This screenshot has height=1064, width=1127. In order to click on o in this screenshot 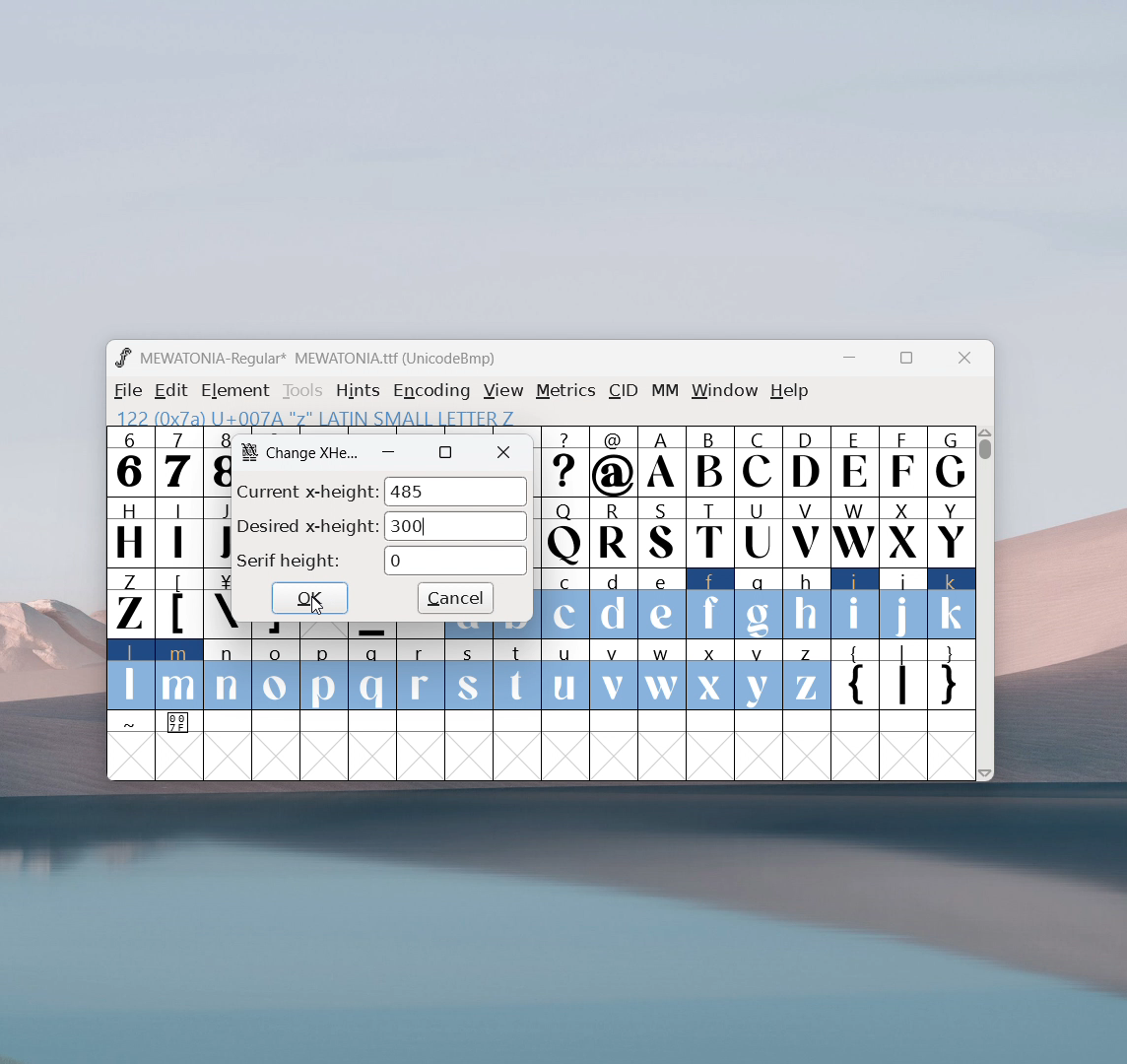, I will do `click(277, 677)`.